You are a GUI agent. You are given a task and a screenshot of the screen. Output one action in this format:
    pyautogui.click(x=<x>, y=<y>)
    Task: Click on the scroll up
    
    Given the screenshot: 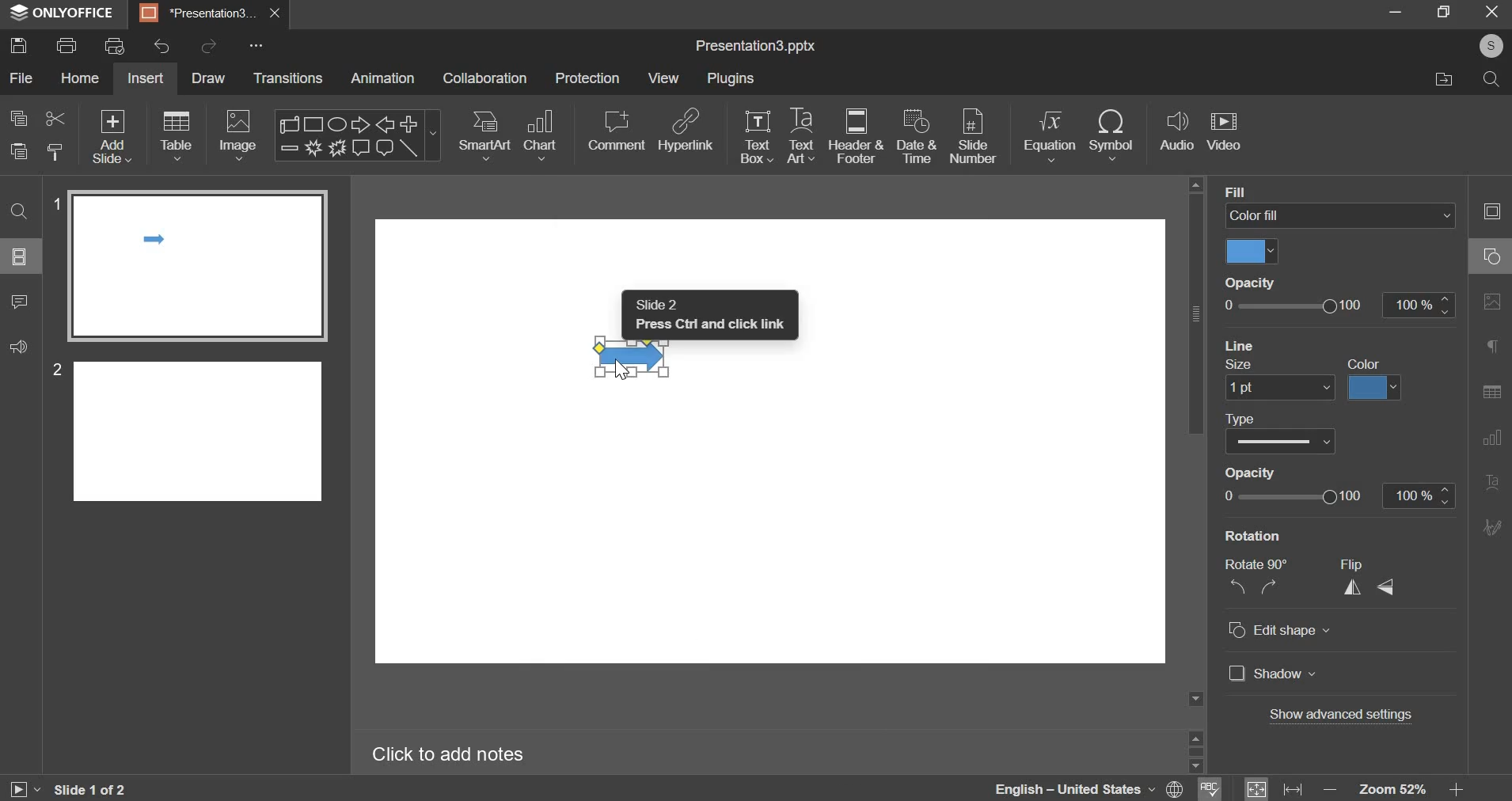 What is the action you would take?
    pyautogui.click(x=1195, y=736)
    